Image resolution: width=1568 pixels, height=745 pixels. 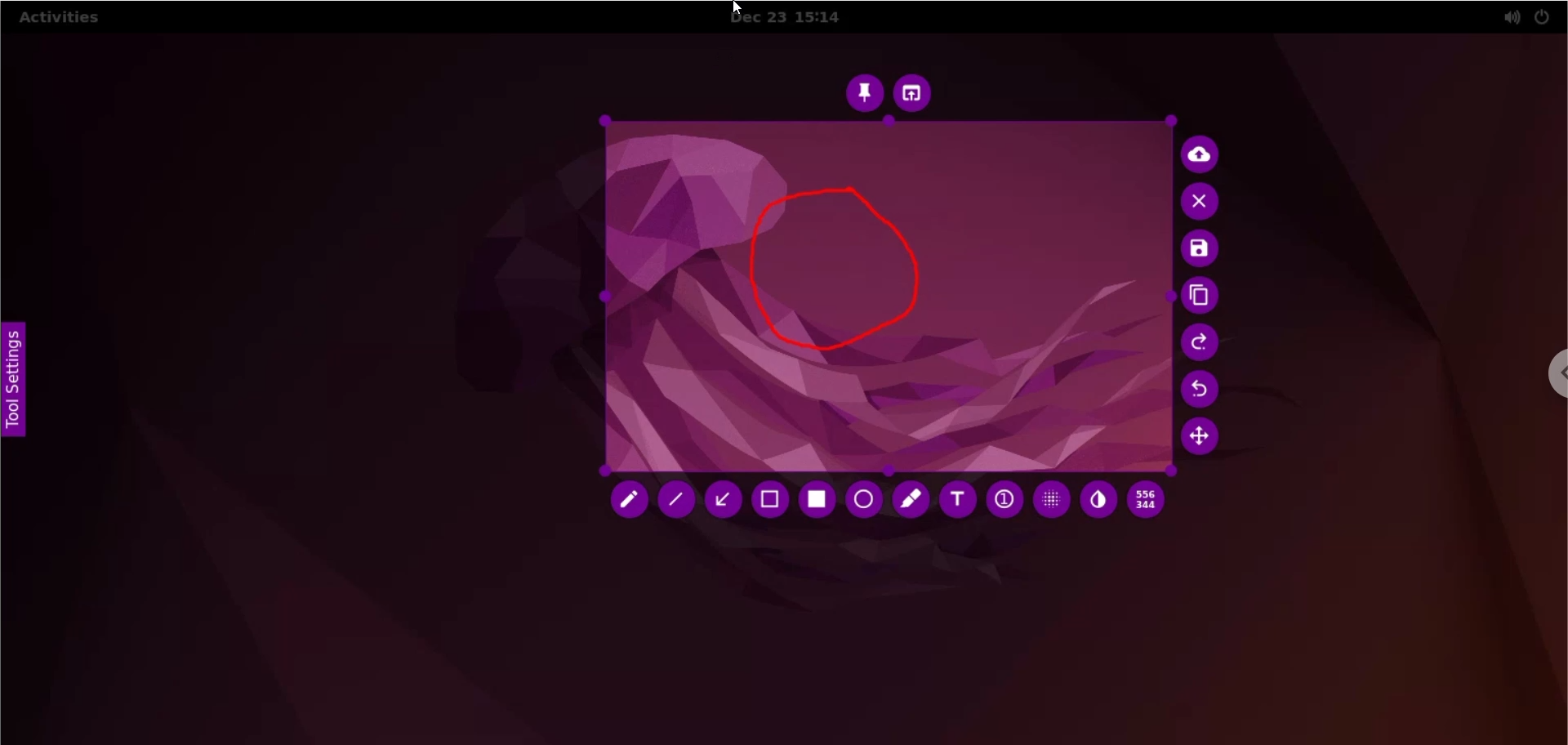 I want to click on choose app to open screenshot, so click(x=920, y=93).